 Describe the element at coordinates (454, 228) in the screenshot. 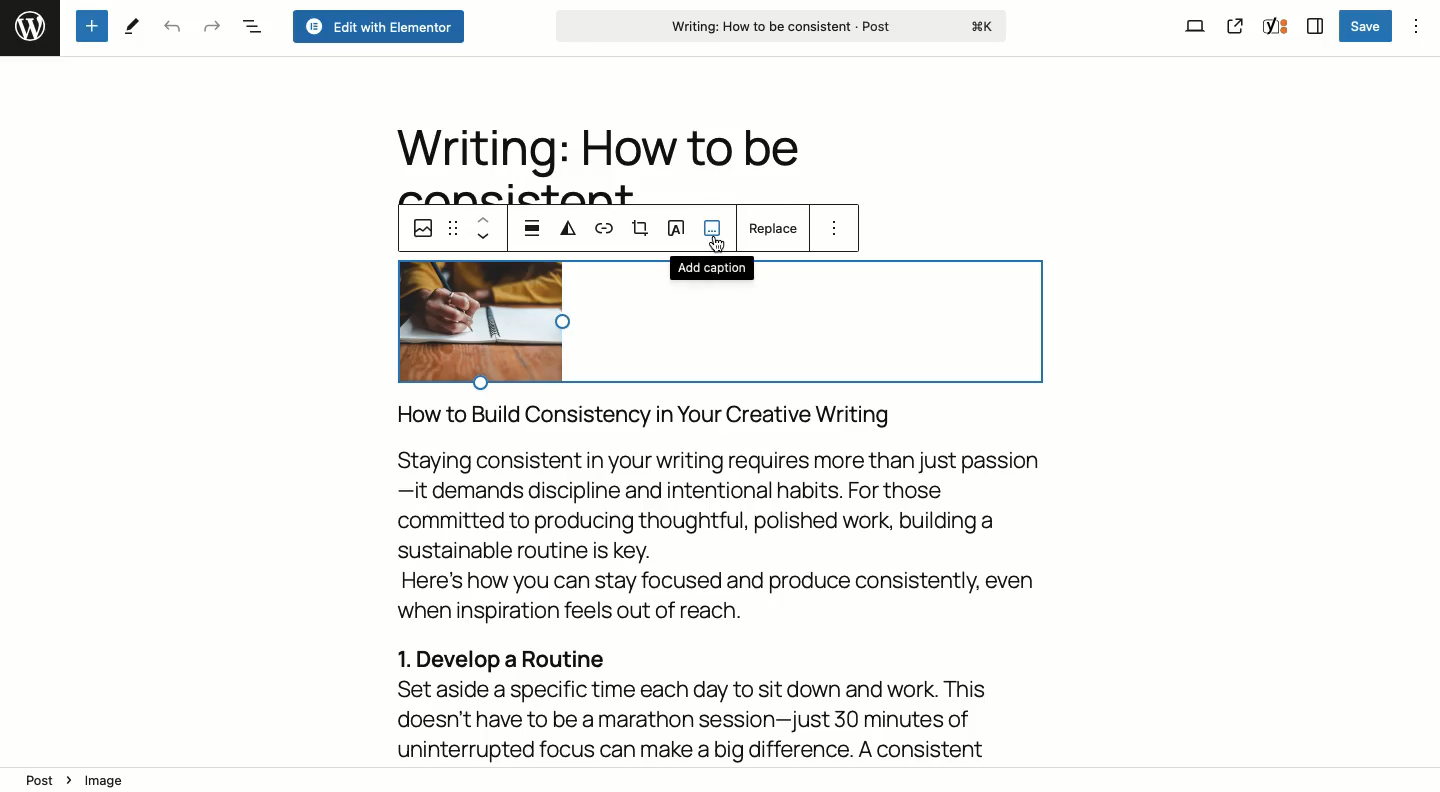

I see `Drag` at that location.